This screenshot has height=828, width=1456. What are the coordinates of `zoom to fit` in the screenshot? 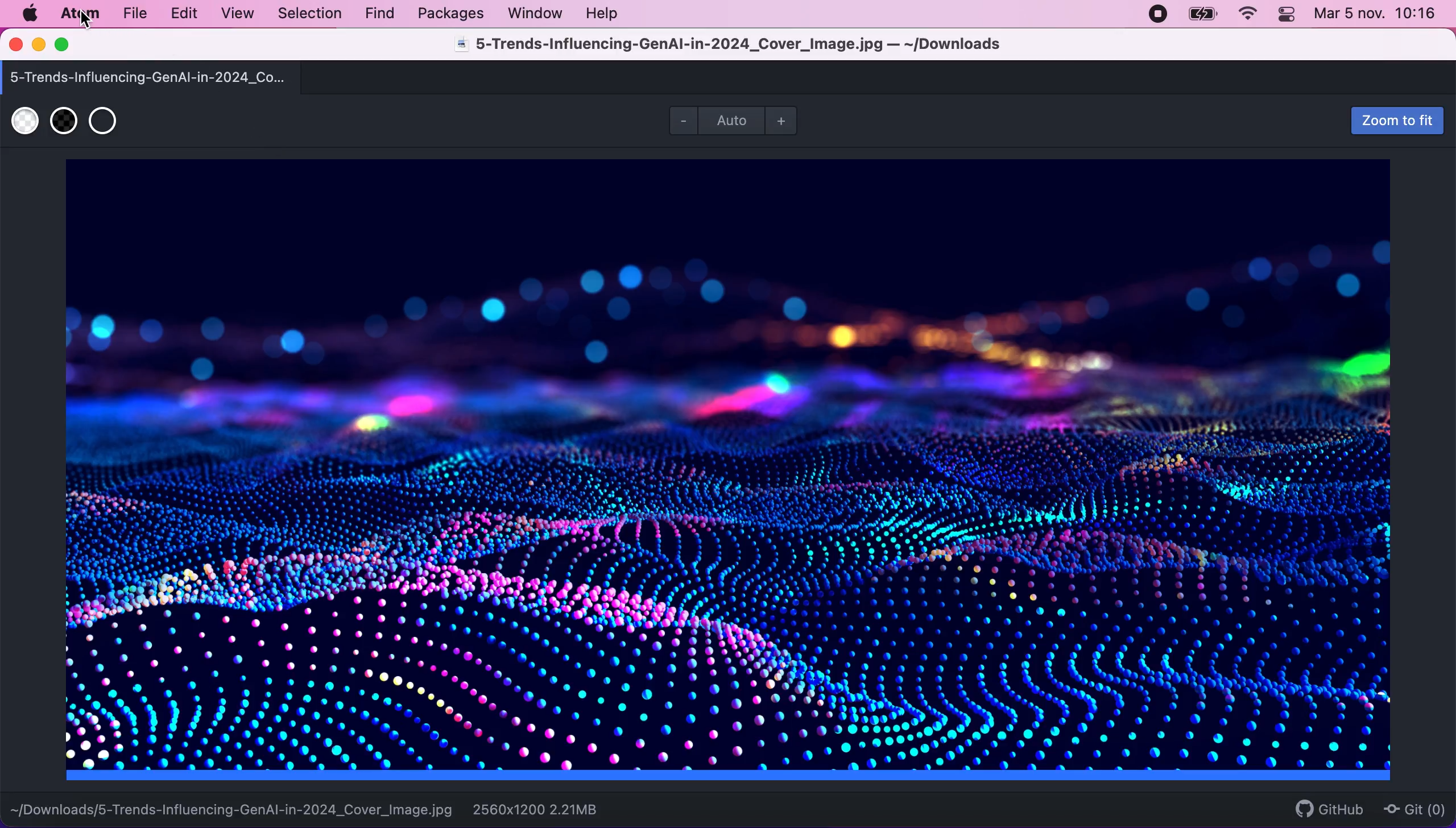 It's located at (1391, 121).